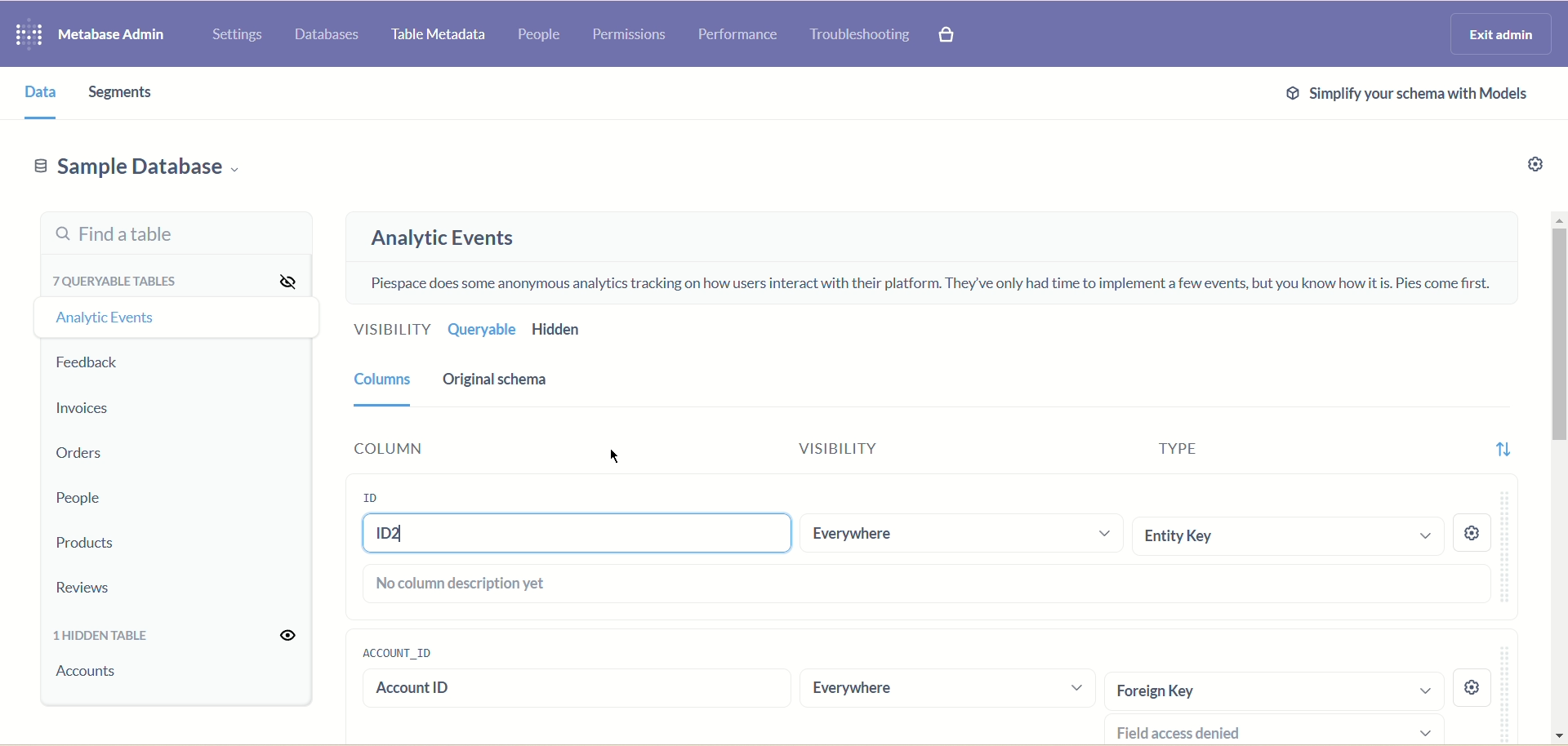 This screenshot has width=1568, height=746. Describe the element at coordinates (533, 380) in the screenshot. I see `Original schema` at that location.